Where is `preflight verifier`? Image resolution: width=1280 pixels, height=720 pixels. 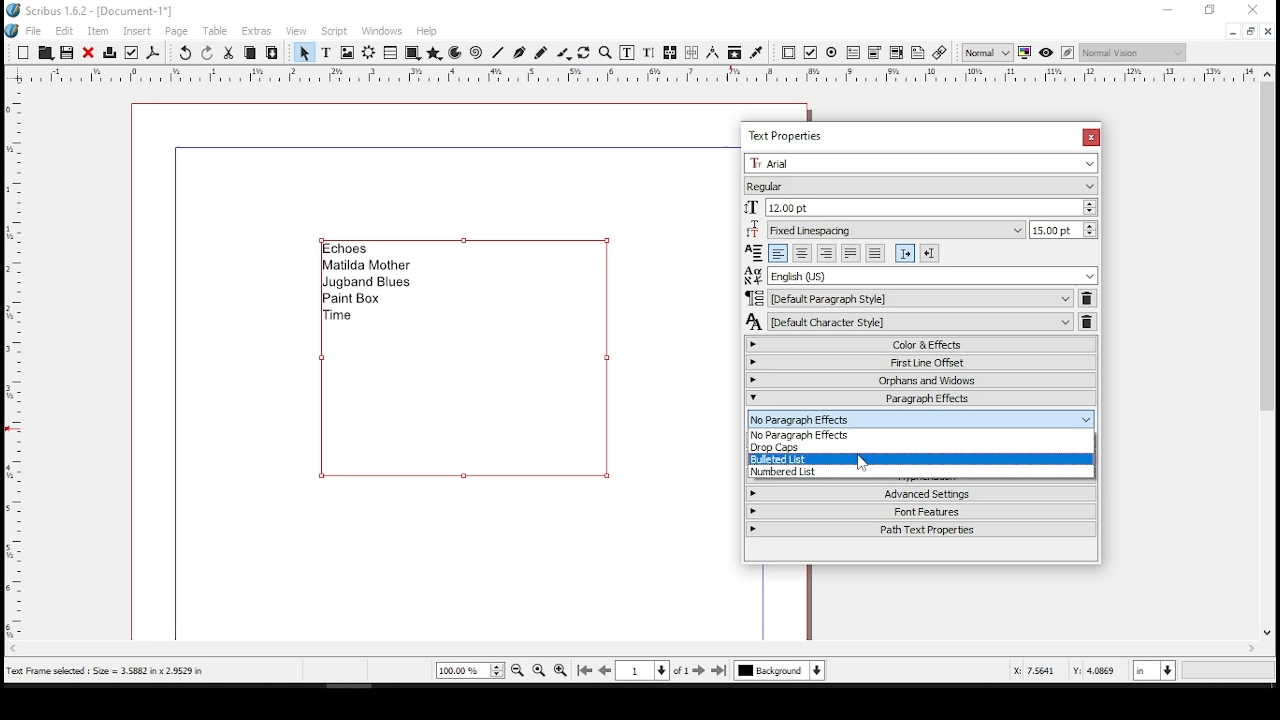 preflight verifier is located at coordinates (133, 52).